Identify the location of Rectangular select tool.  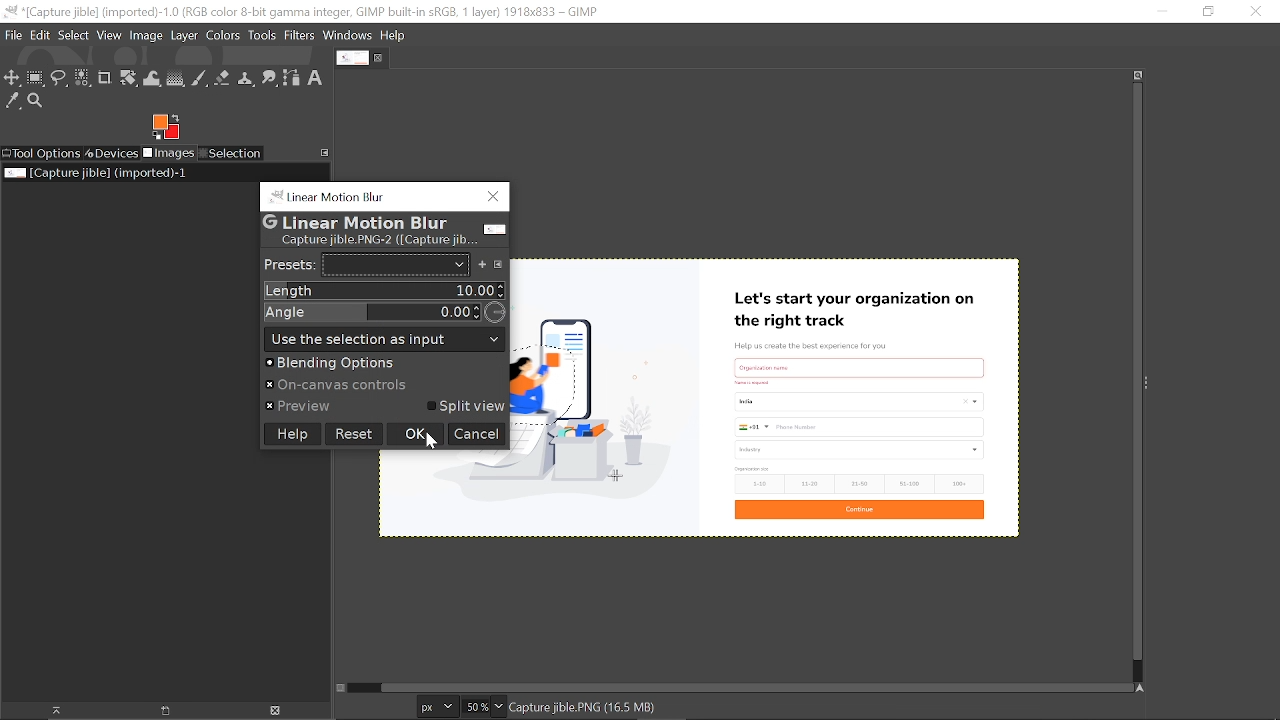
(35, 77).